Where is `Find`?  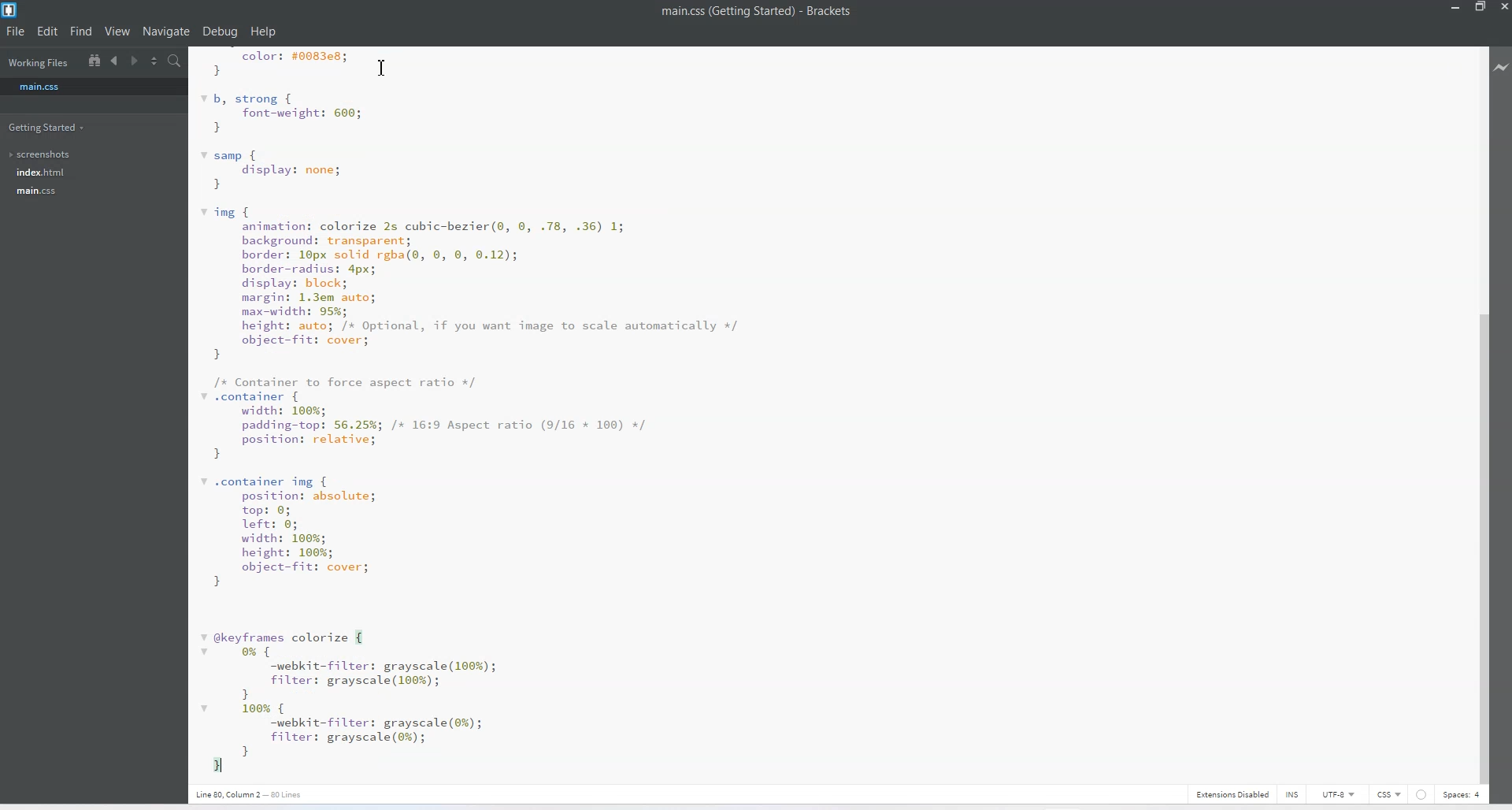
Find is located at coordinates (83, 32).